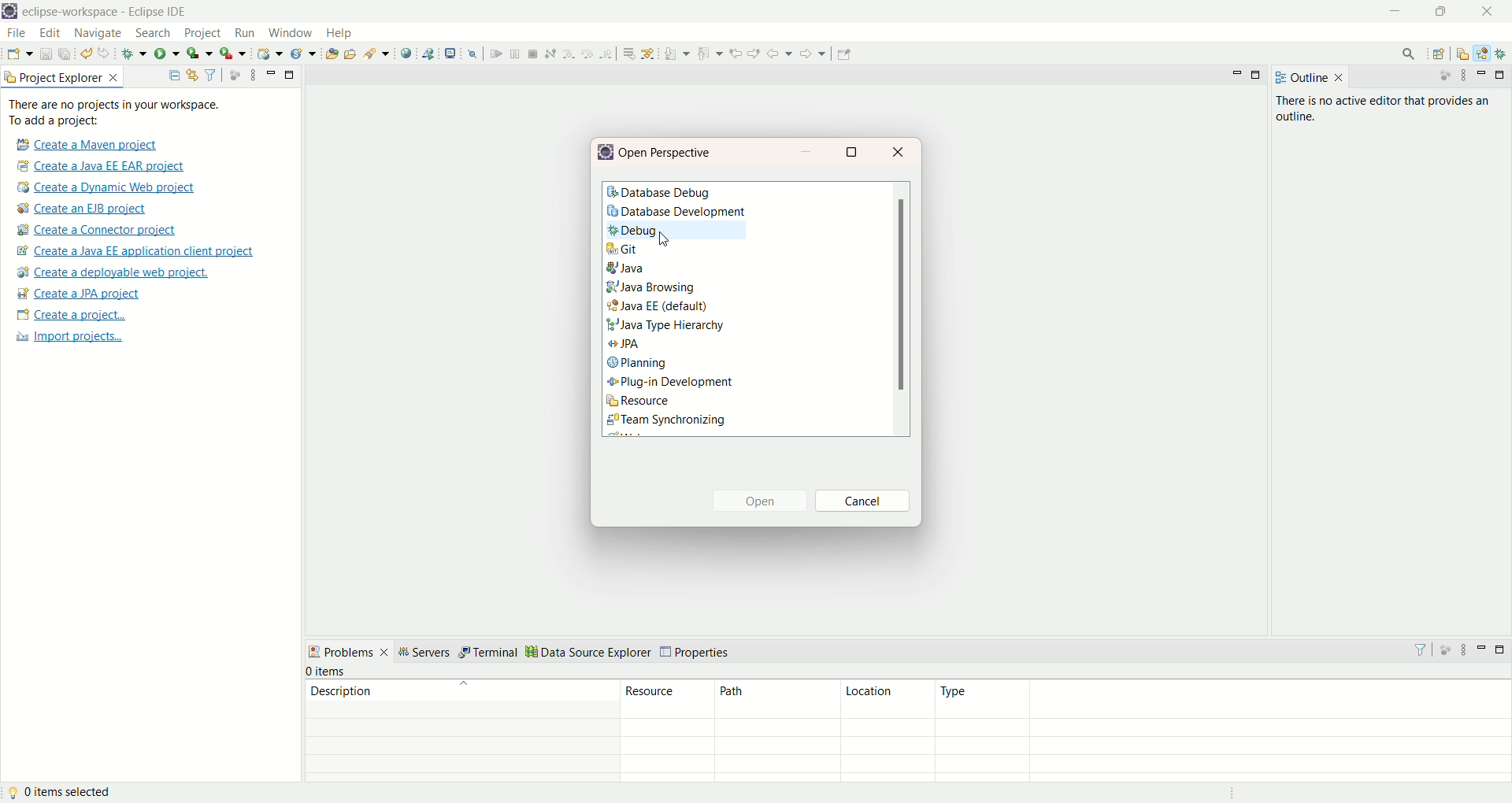  I want to click on open web browser, so click(407, 54).